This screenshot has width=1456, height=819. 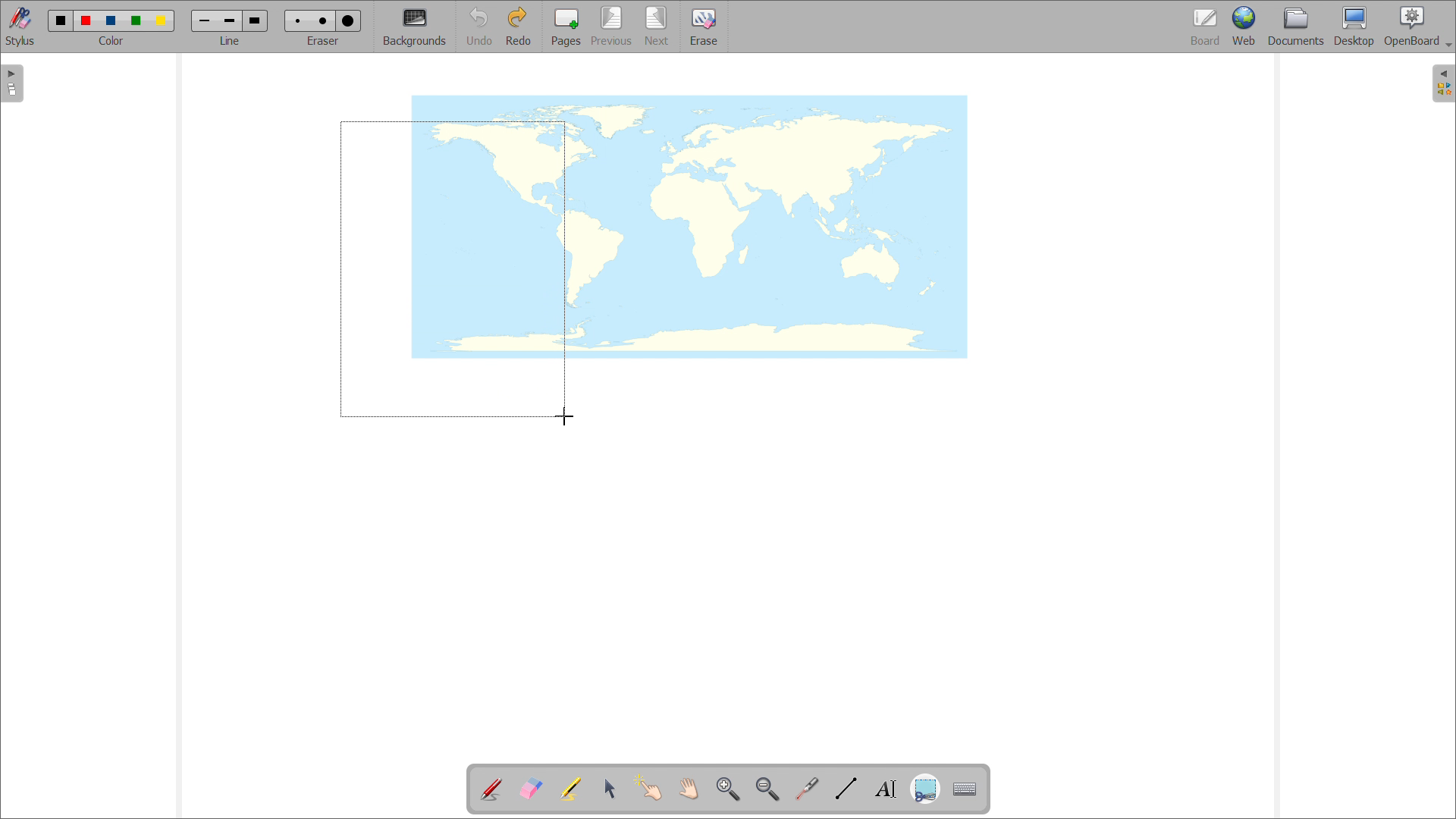 What do you see at coordinates (490, 787) in the screenshot?
I see `add annotation` at bounding box center [490, 787].